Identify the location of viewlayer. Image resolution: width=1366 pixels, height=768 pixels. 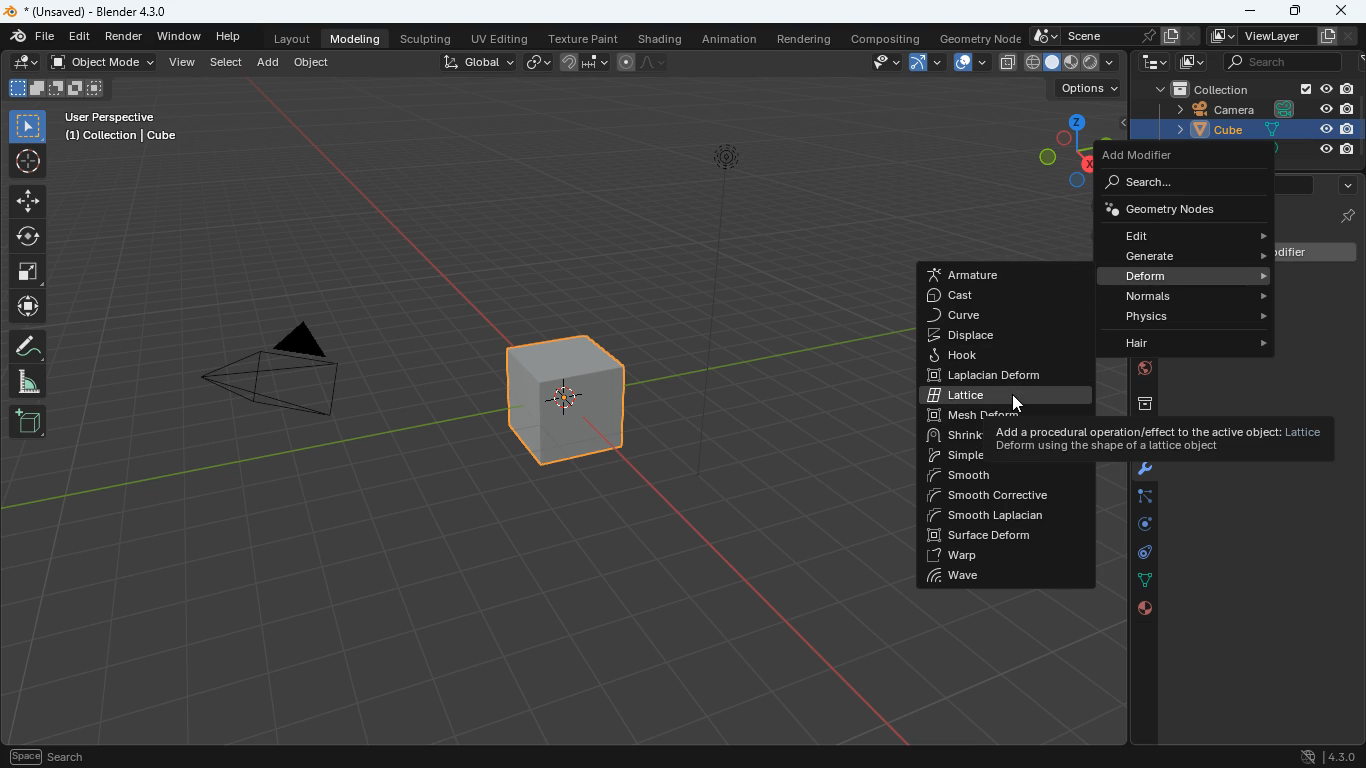
(1285, 35).